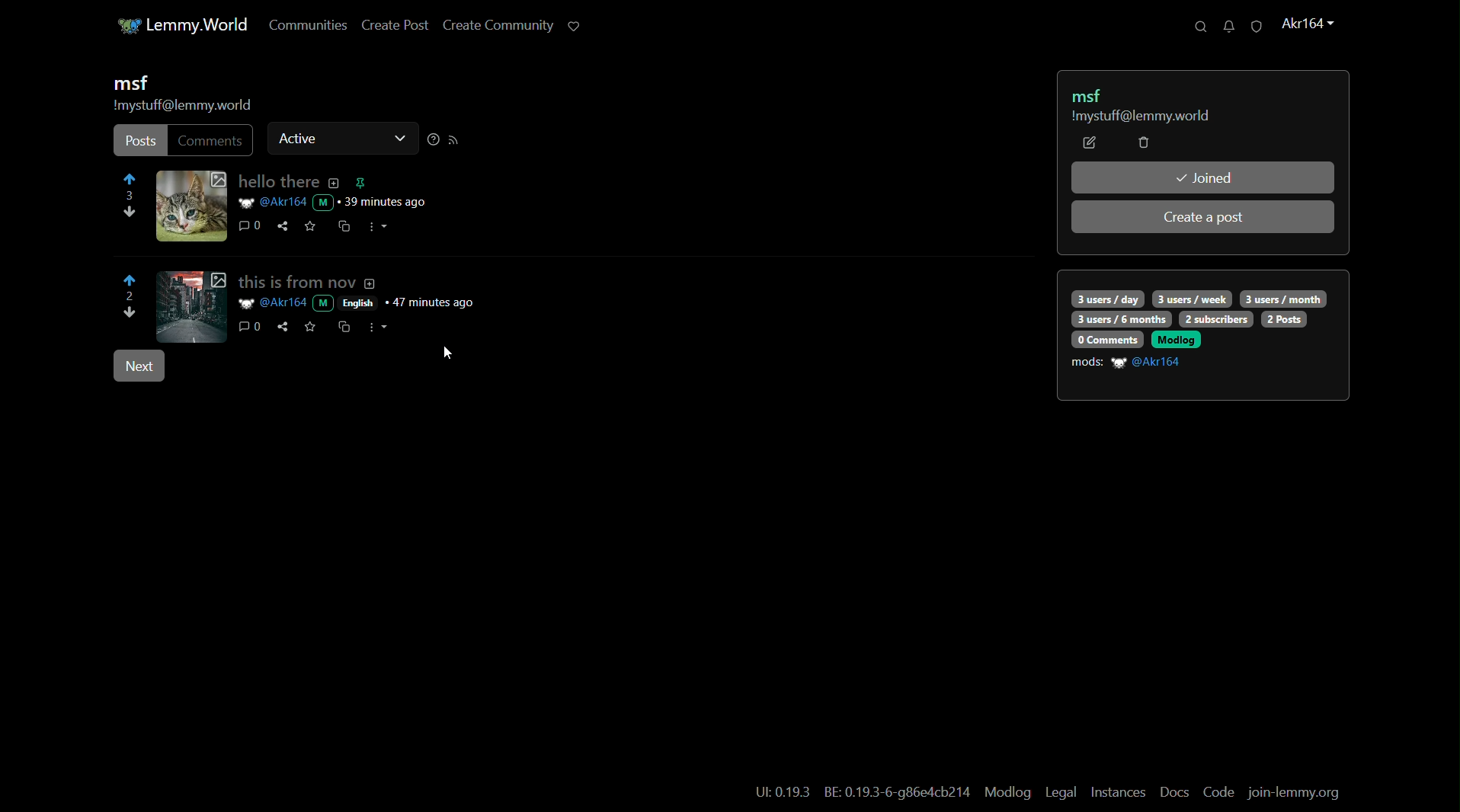  What do you see at coordinates (1203, 177) in the screenshot?
I see `joined` at bounding box center [1203, 177].